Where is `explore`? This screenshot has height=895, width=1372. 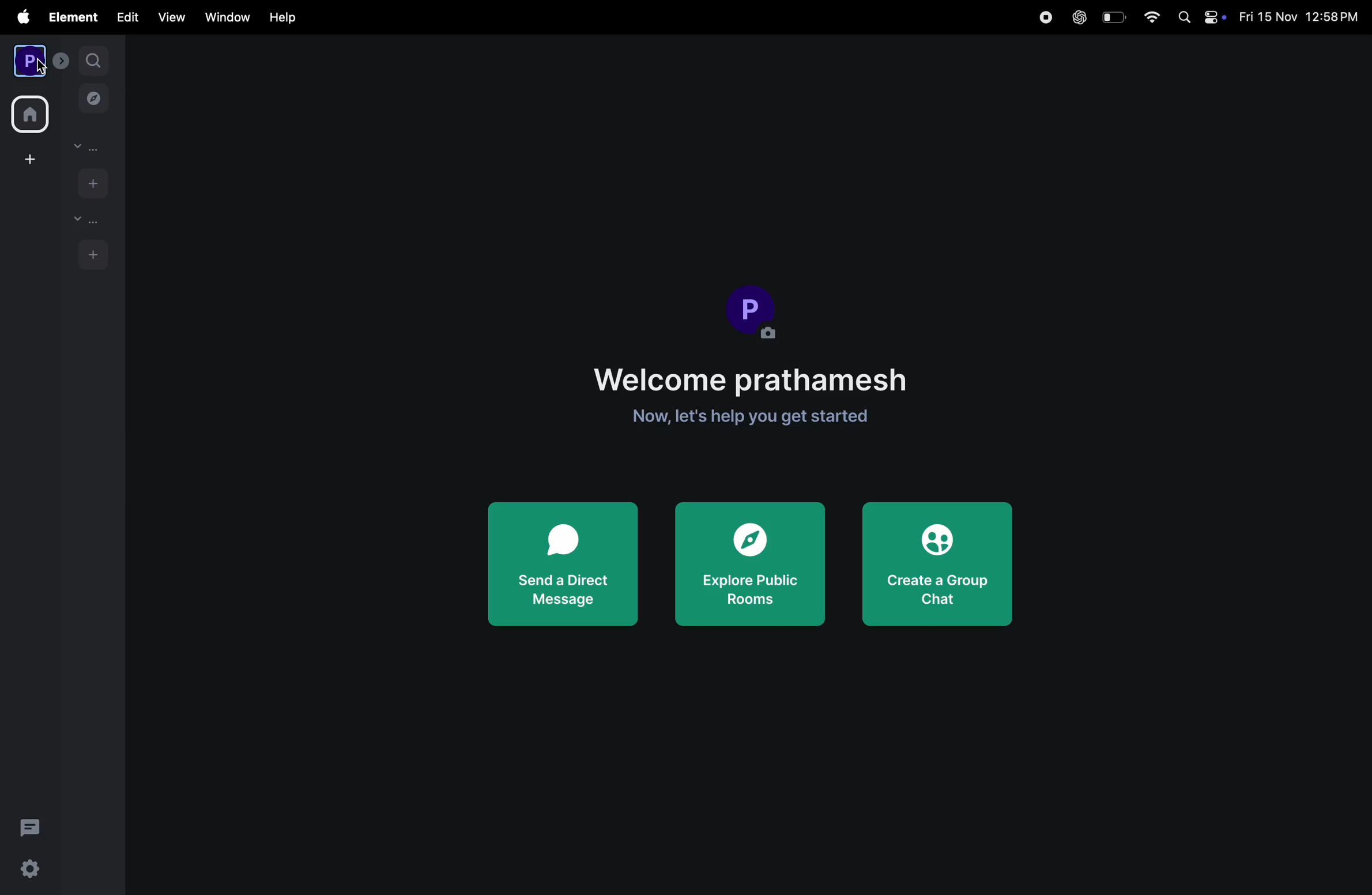
explore is located at coordinates (94, 97).